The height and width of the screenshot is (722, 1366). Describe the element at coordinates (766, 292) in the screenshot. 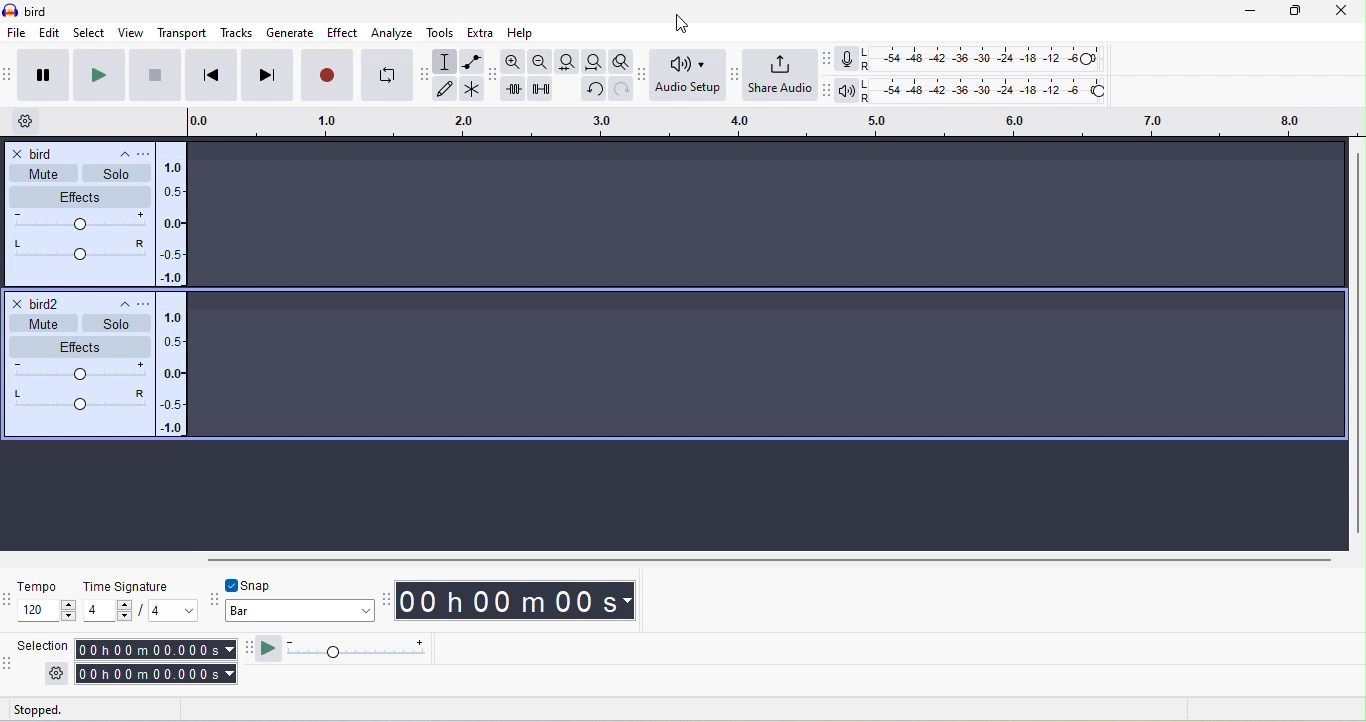

I see `Remove all tracks from a project appear` at that location.